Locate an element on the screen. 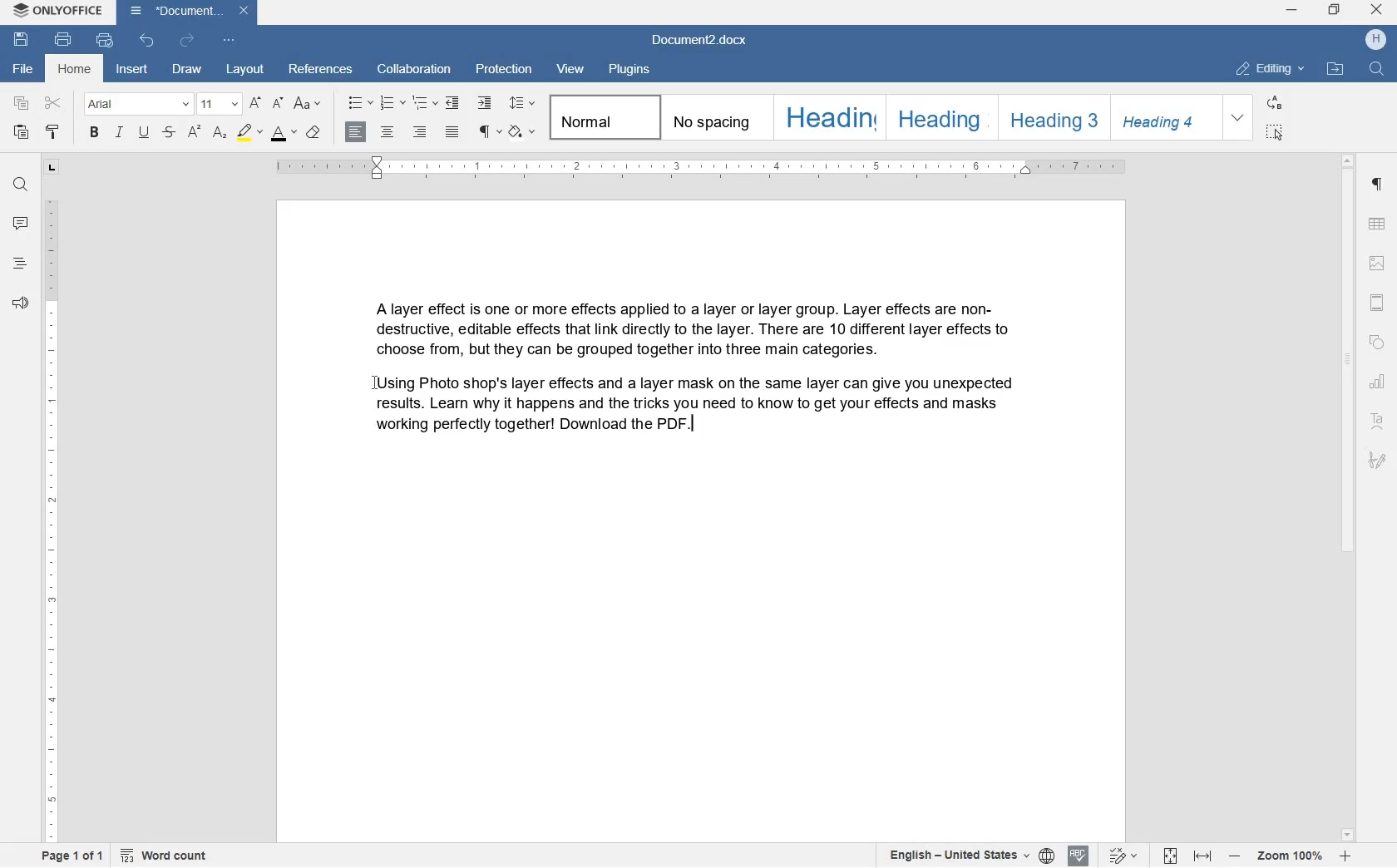 The height and width of the screenshot is (868, 1397). NORMAL is located at coordinates (602, 120).